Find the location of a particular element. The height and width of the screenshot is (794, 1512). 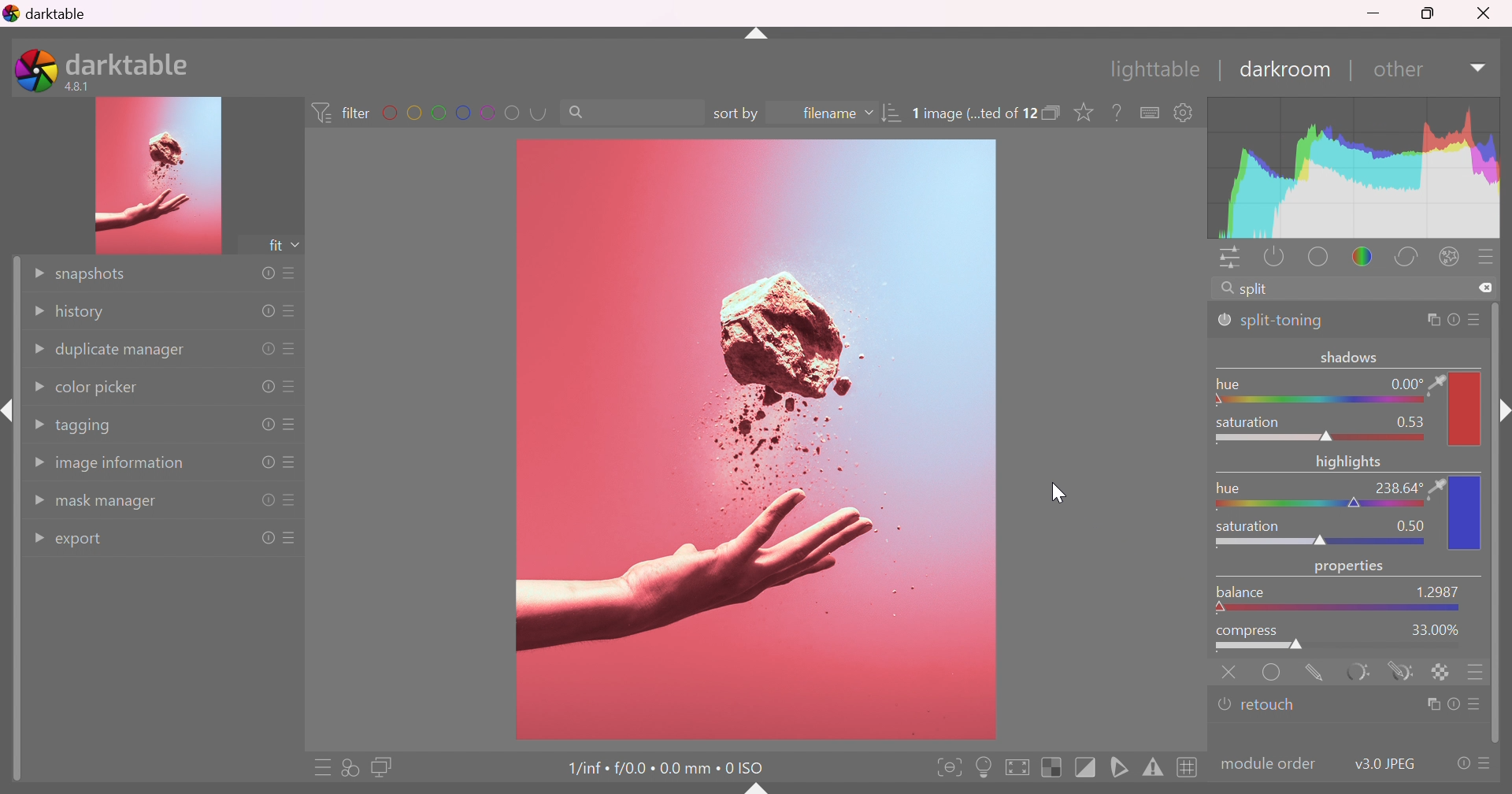

mask manager is located at coordinates (110, 504).